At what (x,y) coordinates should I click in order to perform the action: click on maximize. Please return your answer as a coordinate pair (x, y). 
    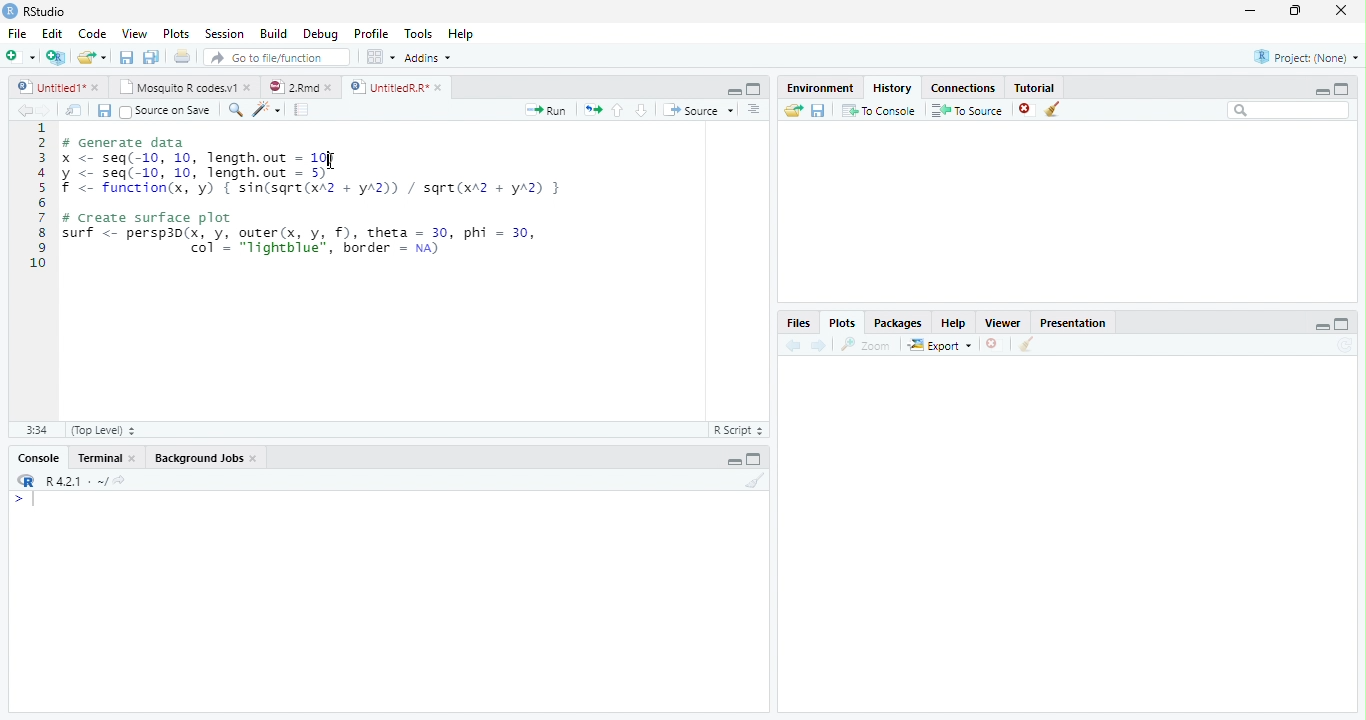
    Looking at the image, I should click on (1342, 89).